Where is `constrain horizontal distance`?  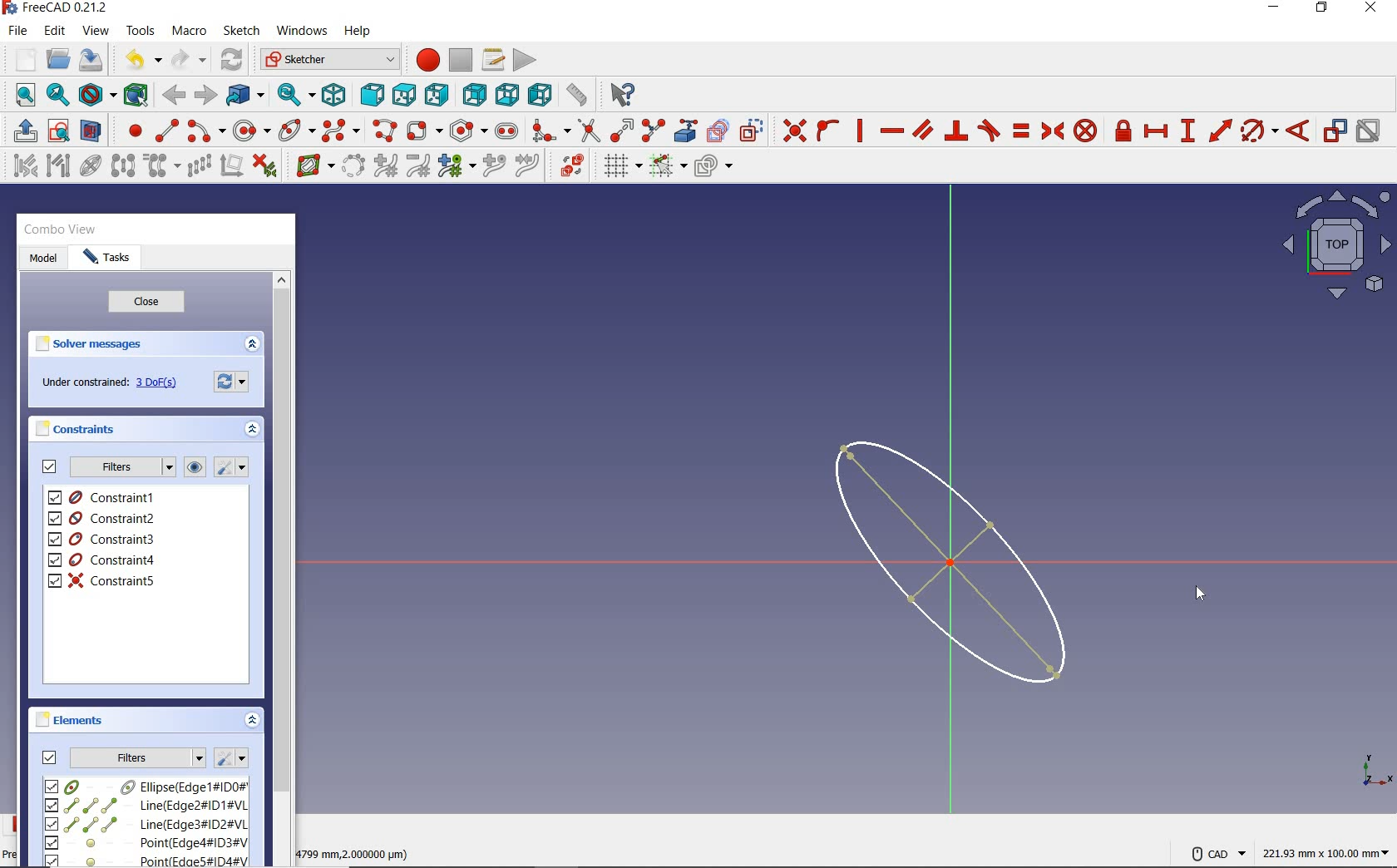 constrain horizontal distance is located at coordinates (1155, 130).